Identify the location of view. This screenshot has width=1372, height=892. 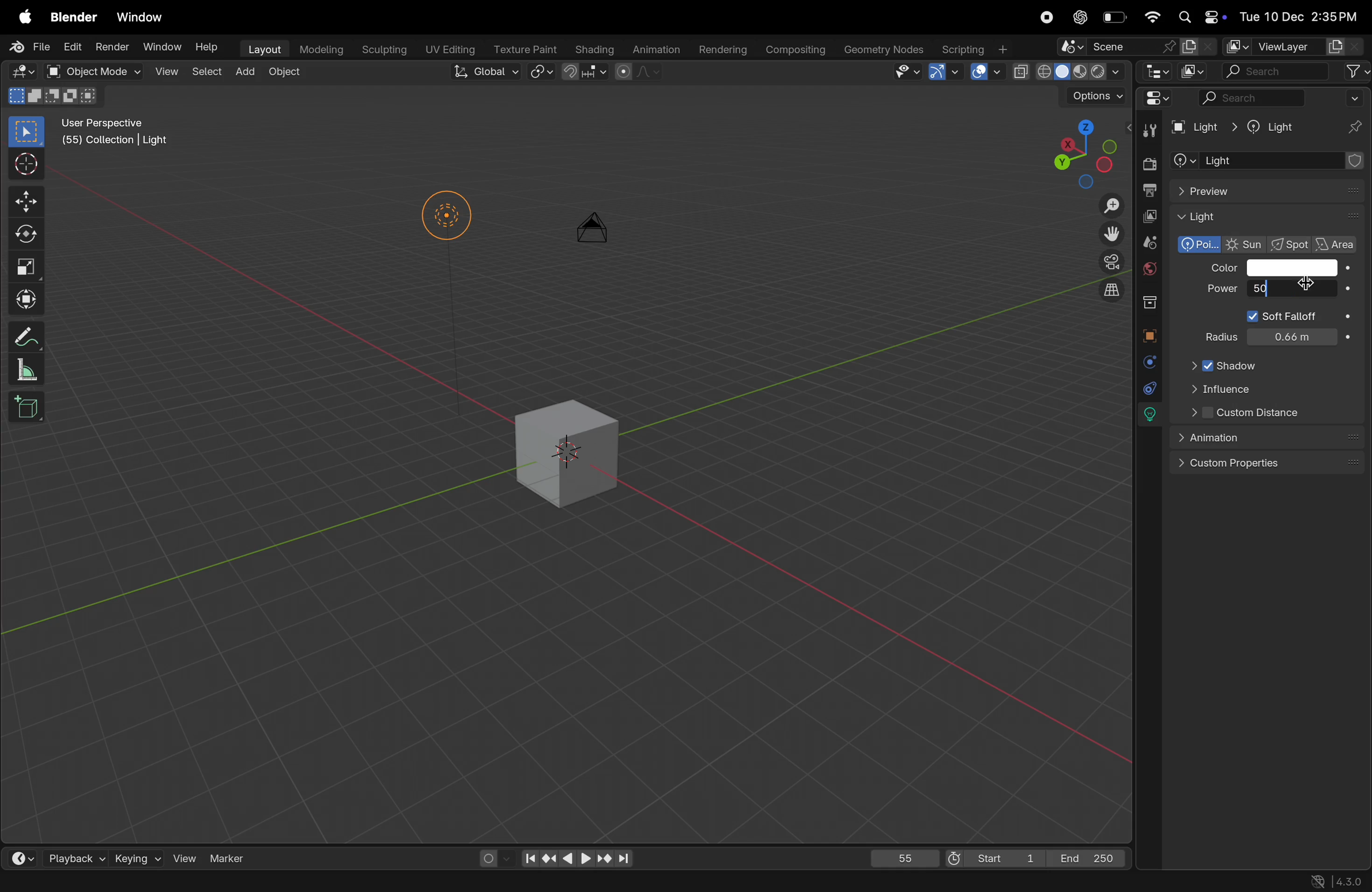
(186, 857).